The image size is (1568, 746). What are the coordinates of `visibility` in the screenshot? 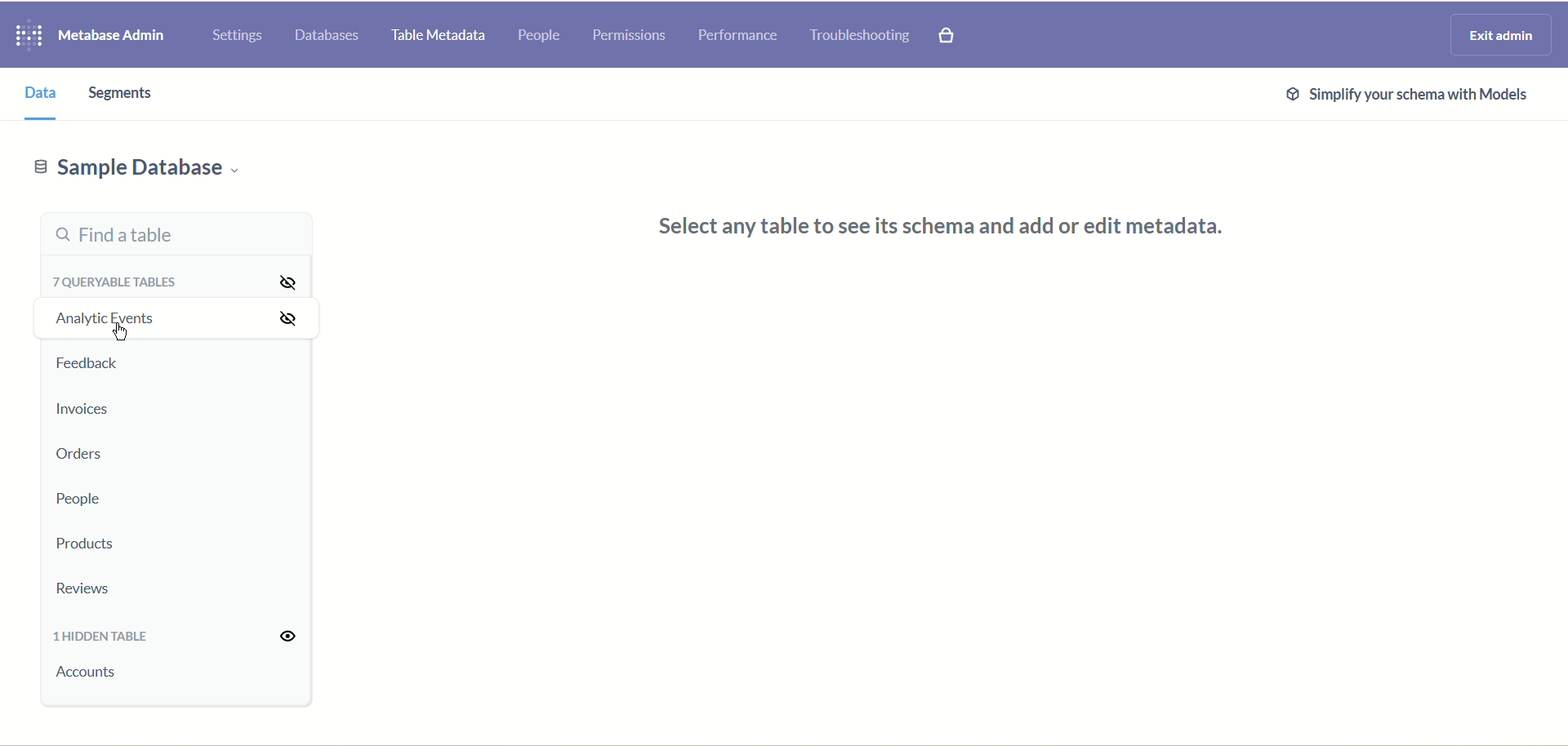 It's located at (292, 637).